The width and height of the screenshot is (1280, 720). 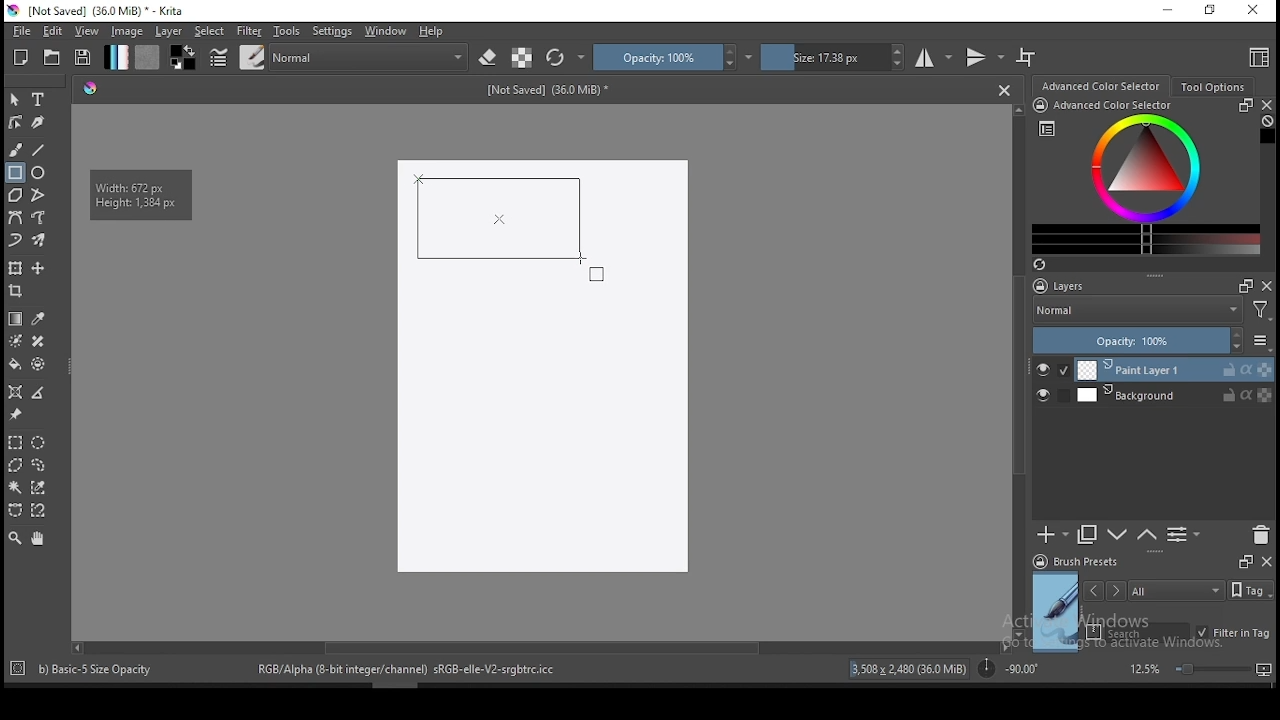 What do you see at coordinates (170, 31) in the screenshot?
I see `layer` at bounding box center [170, 31].